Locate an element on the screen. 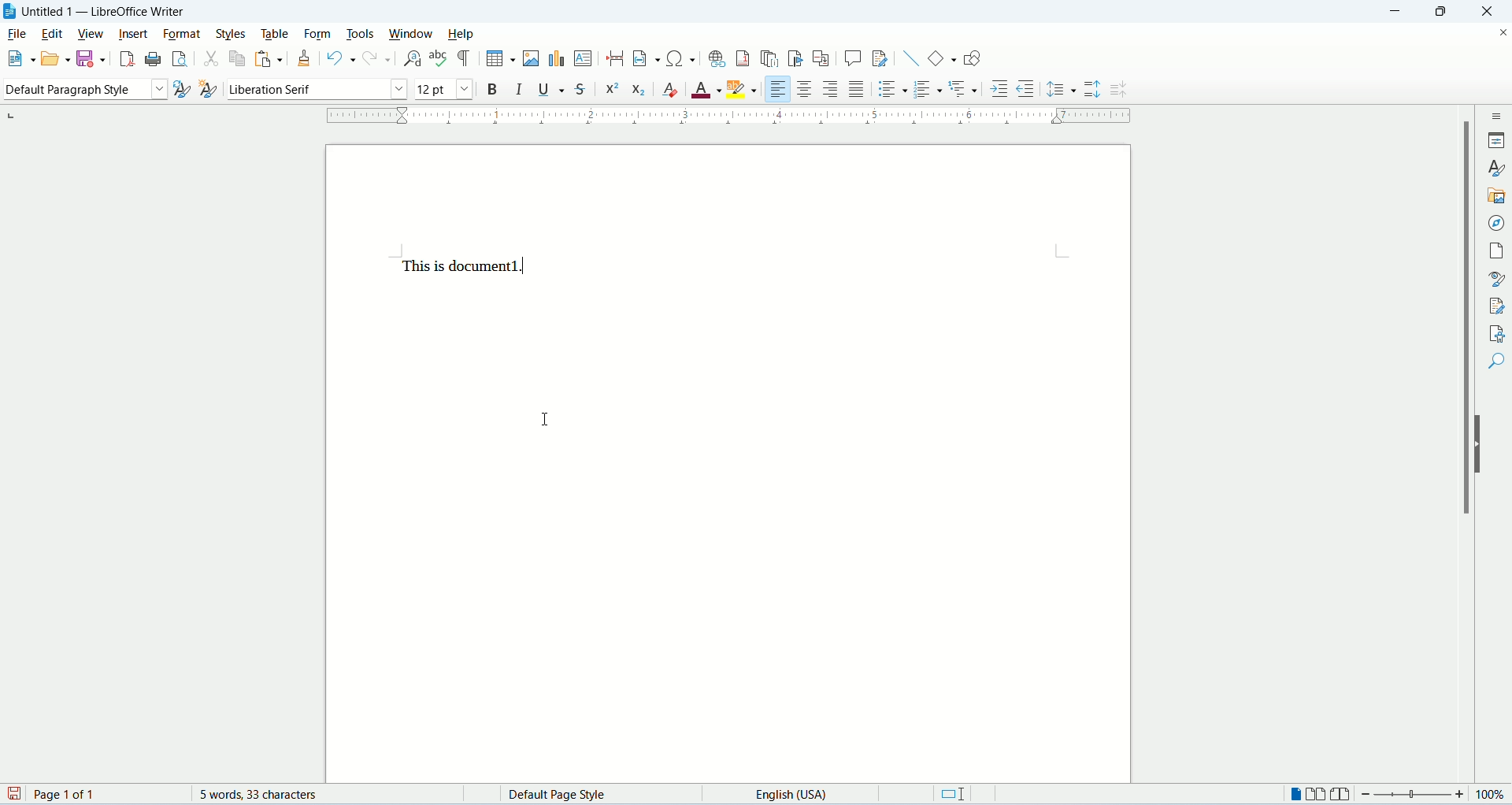 The height and width of the screenshot is (805, 1512). double page view is located at coordinates (1315, 793).